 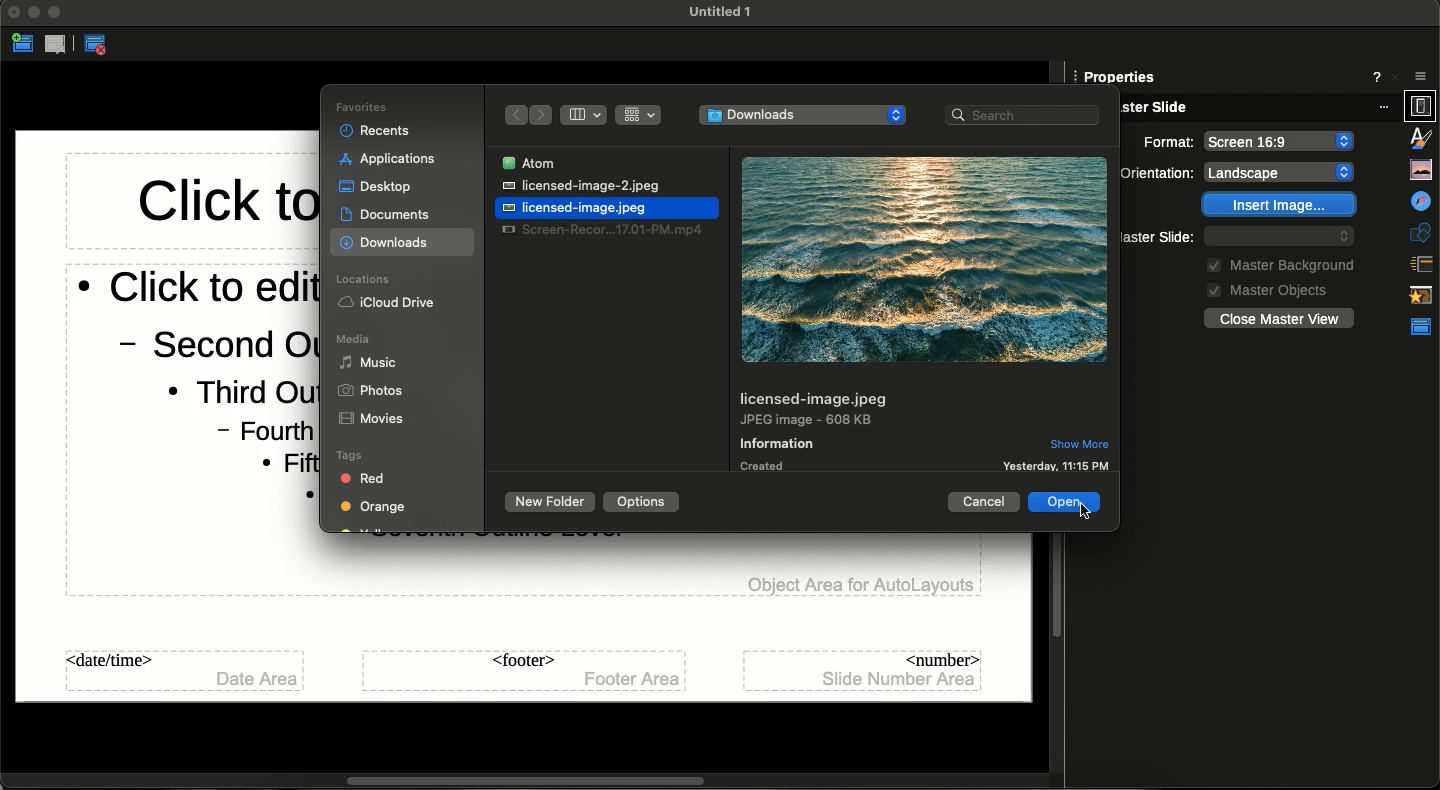 I want to click on iCloud Drive, so click(x=387, y=305).